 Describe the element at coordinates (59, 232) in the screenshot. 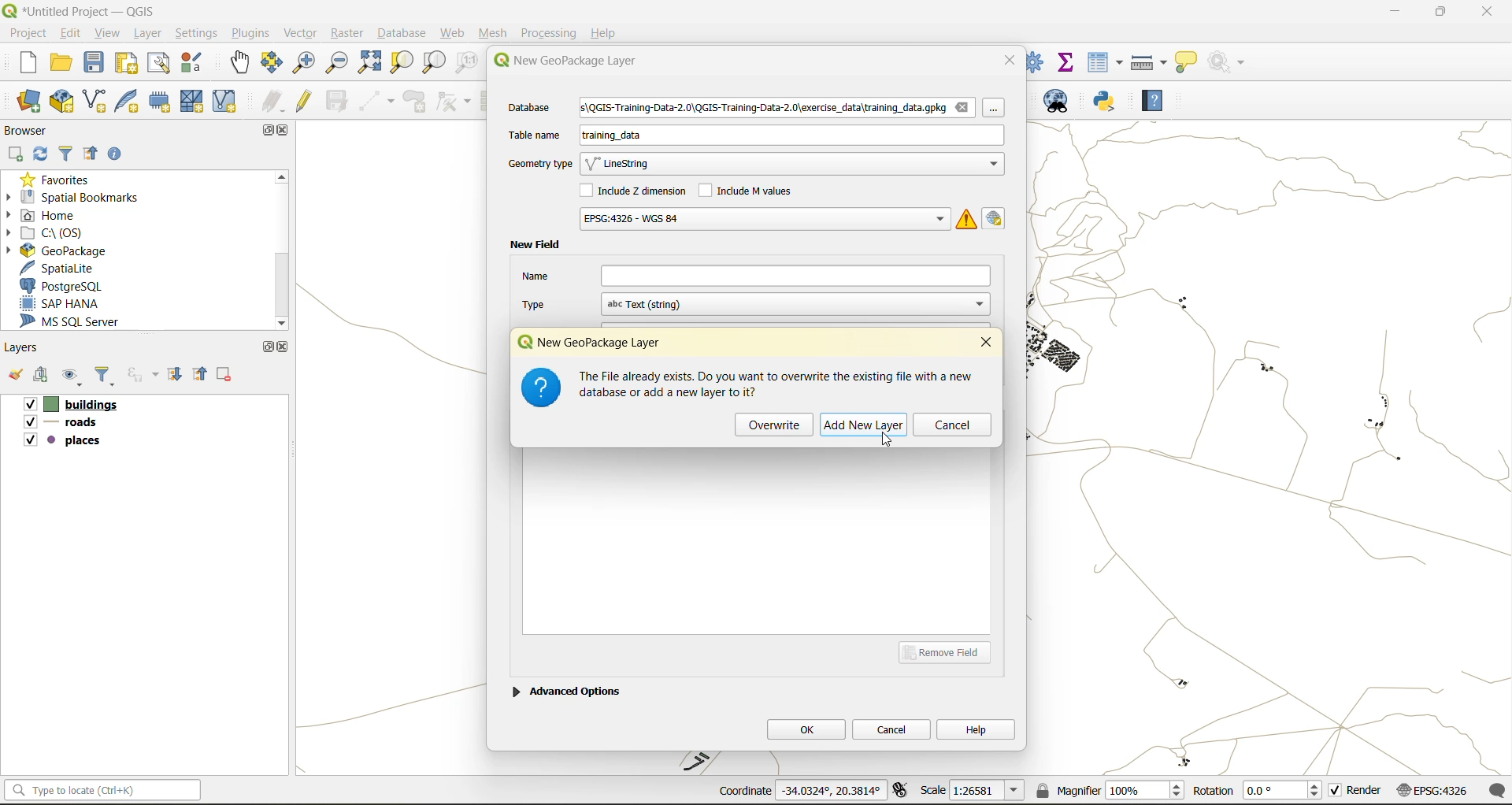

I see `c\:os` at that location.